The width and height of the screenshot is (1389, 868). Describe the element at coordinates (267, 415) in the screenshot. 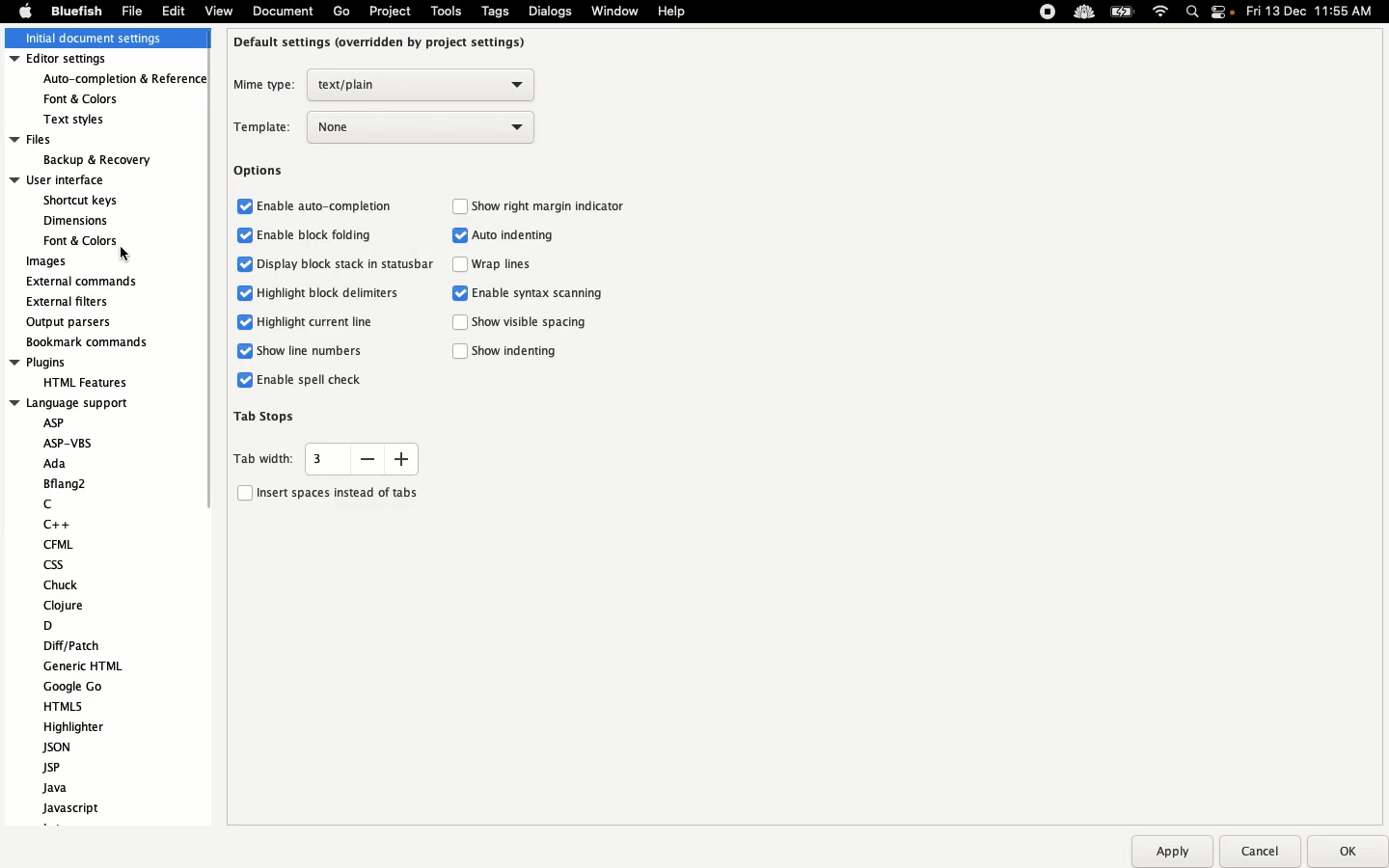

I see `Tab stops` at that location.